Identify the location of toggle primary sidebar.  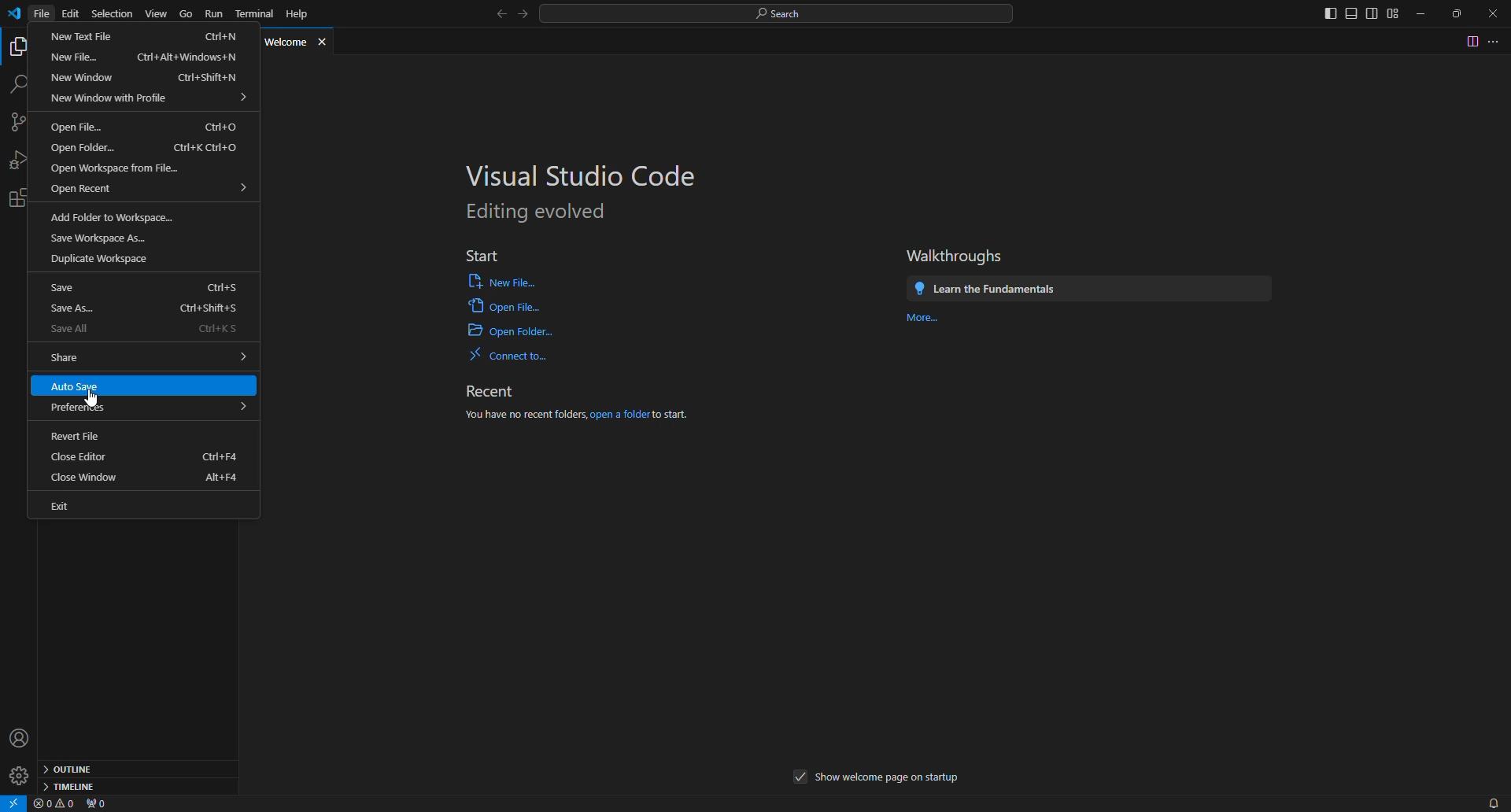
(1329, 13).